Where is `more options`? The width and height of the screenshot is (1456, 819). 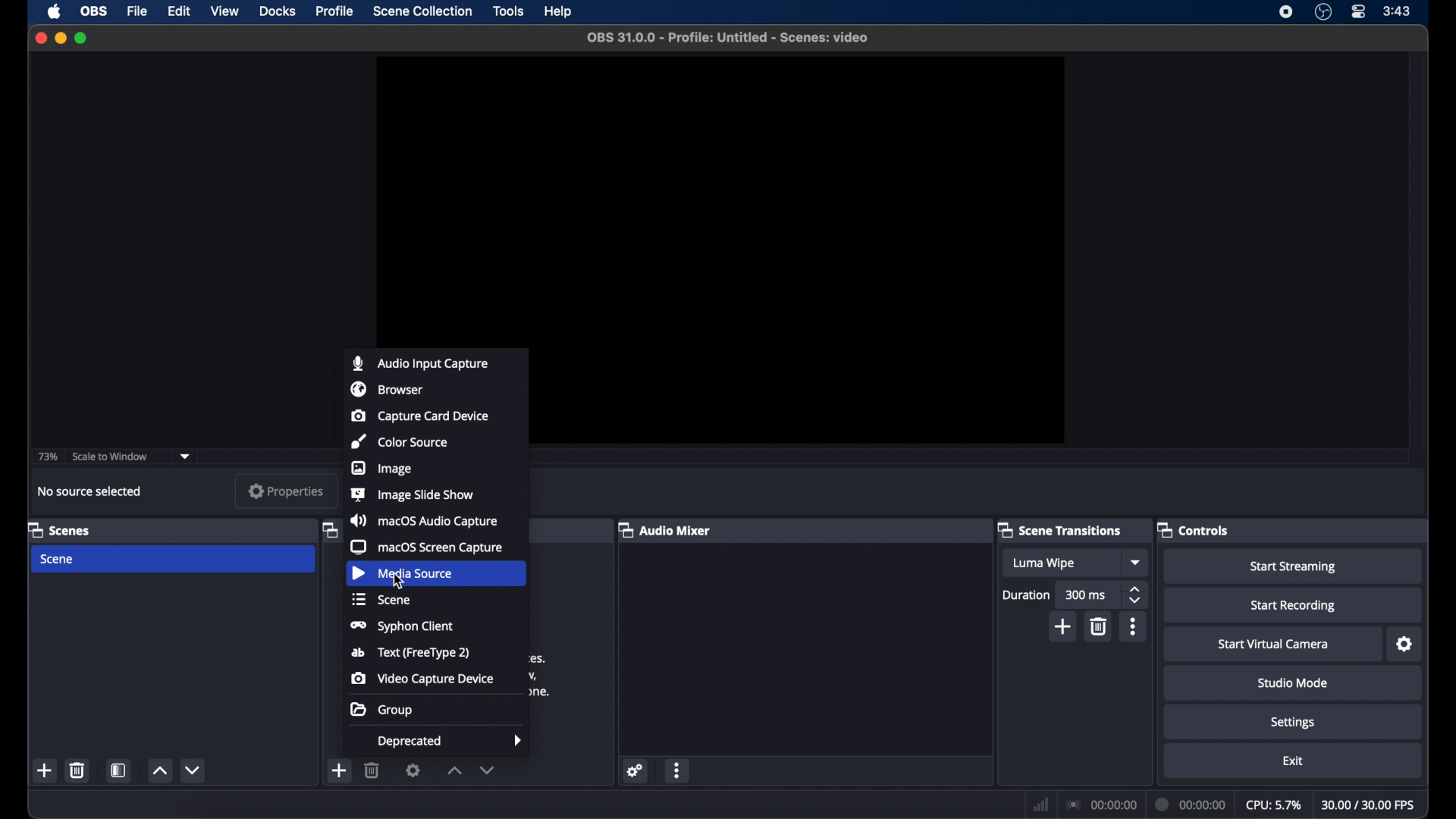
more options is located at coordinates (1134, 626).